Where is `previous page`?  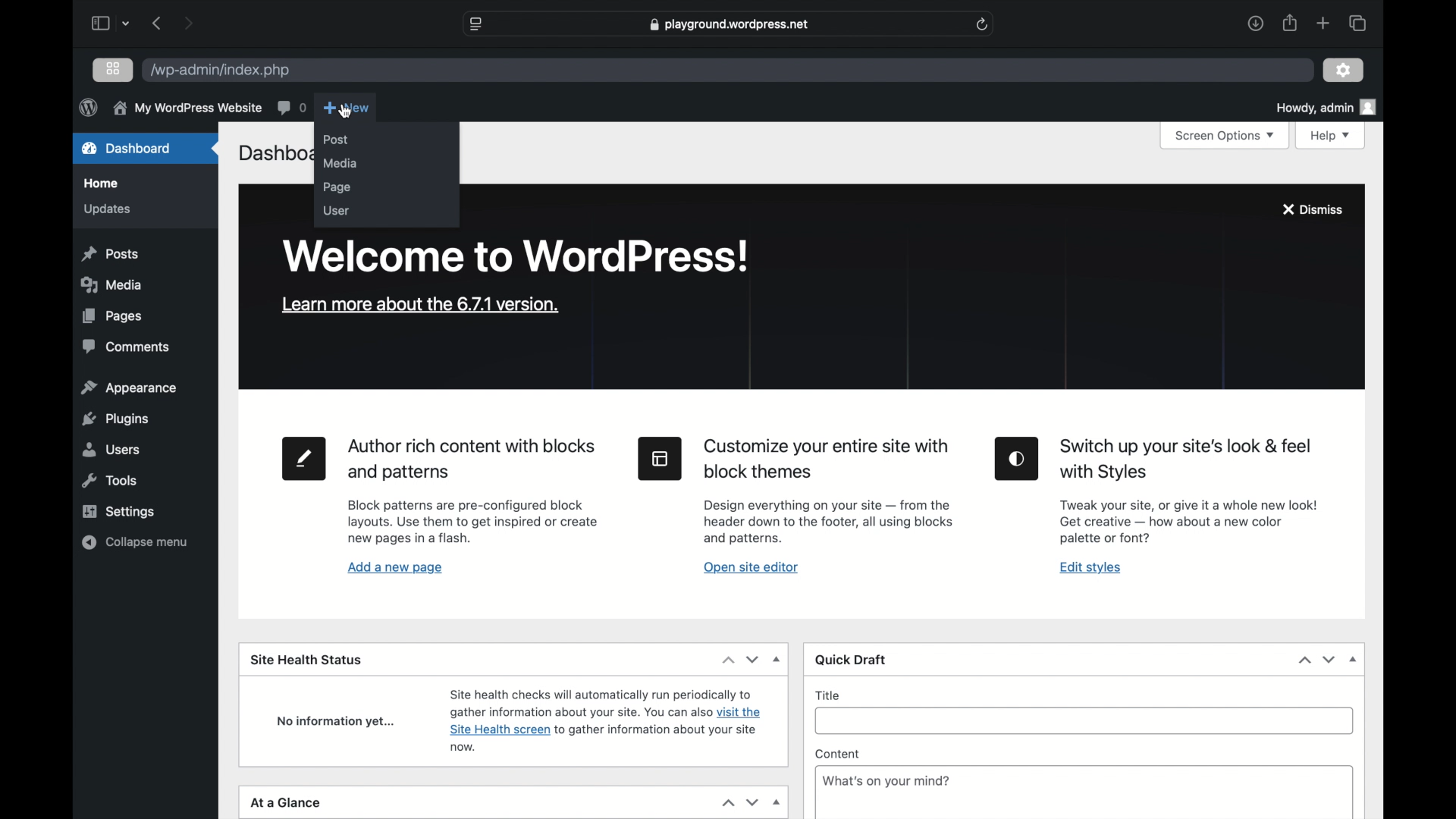
previous page is located at coordinates (155, 23).